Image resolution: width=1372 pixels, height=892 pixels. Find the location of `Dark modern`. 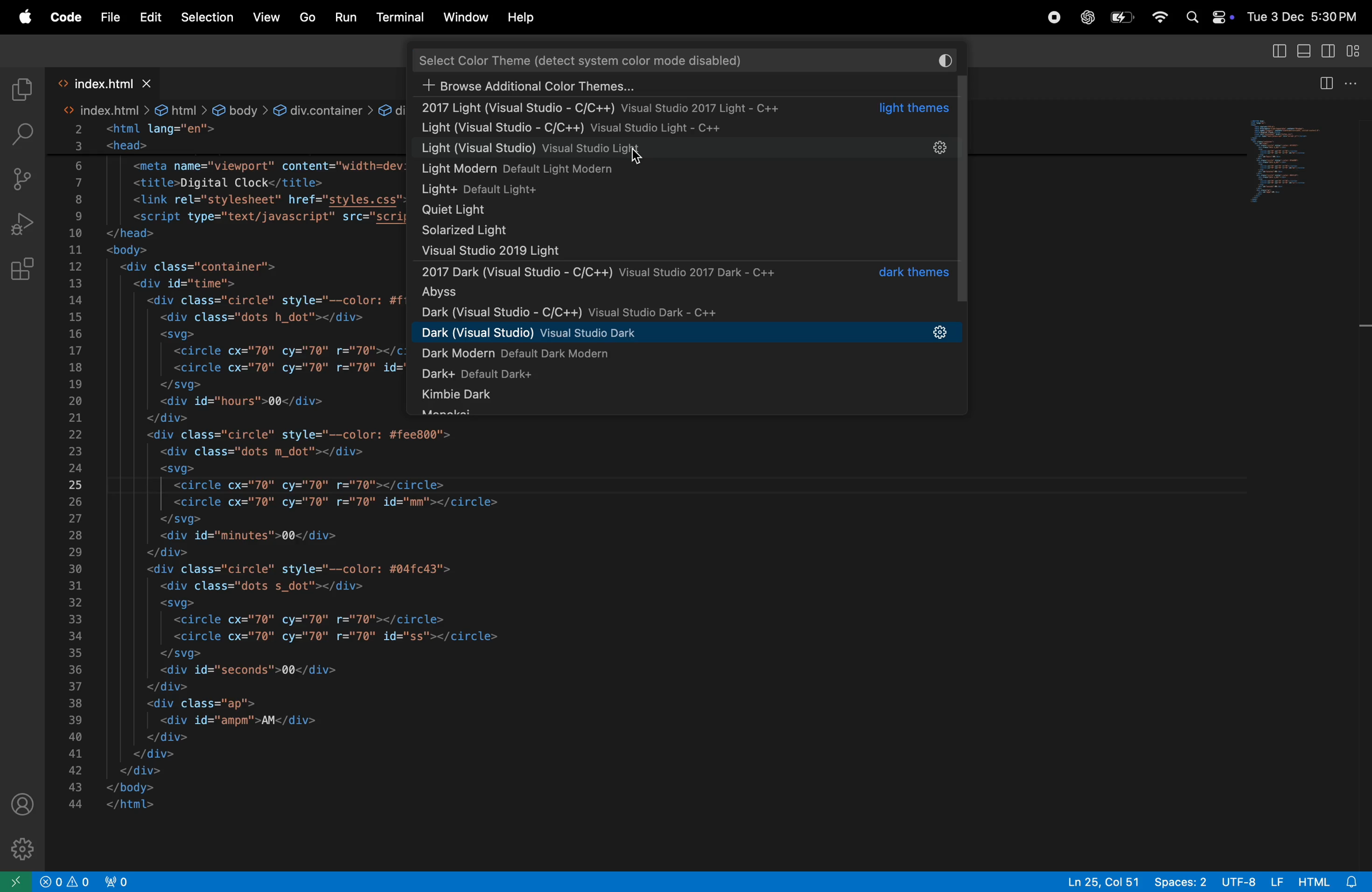

Dark modern is located at coordinates (563, 354).